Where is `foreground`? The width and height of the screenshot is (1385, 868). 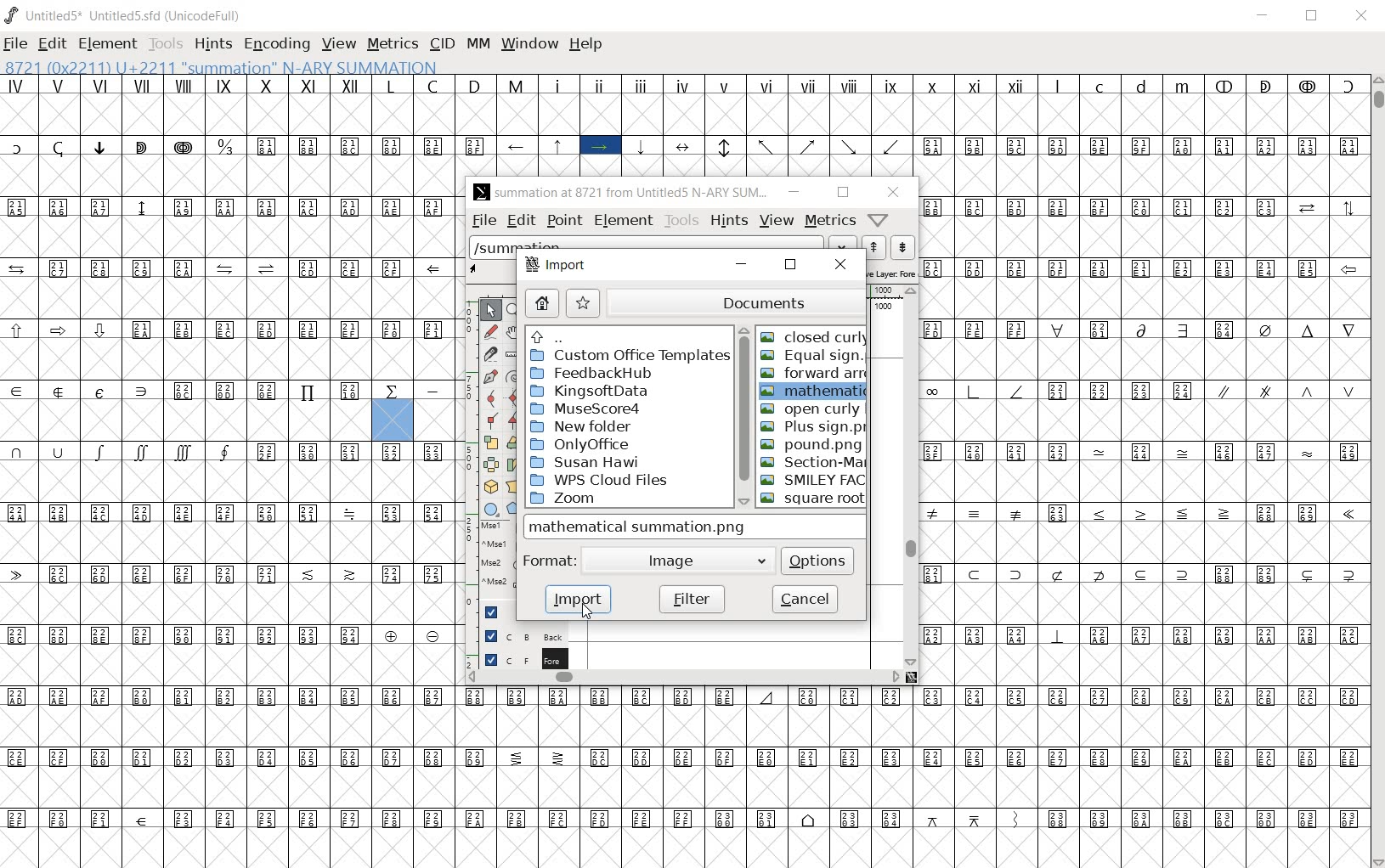
foreground is located at coordinates (516, 657).